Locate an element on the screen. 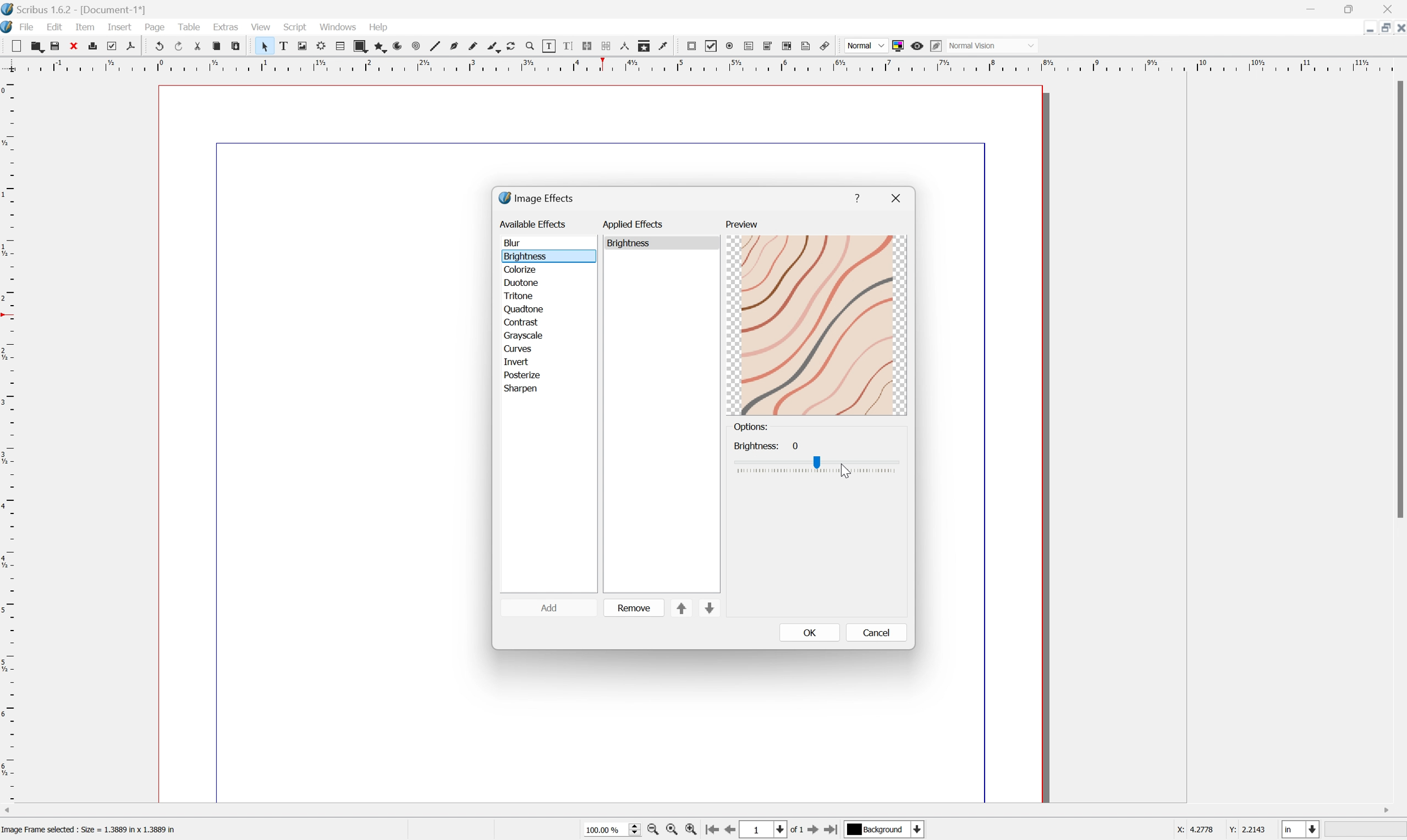 The image size is (1407, 840). 1 of 1 is located at coordinates (775, 829).